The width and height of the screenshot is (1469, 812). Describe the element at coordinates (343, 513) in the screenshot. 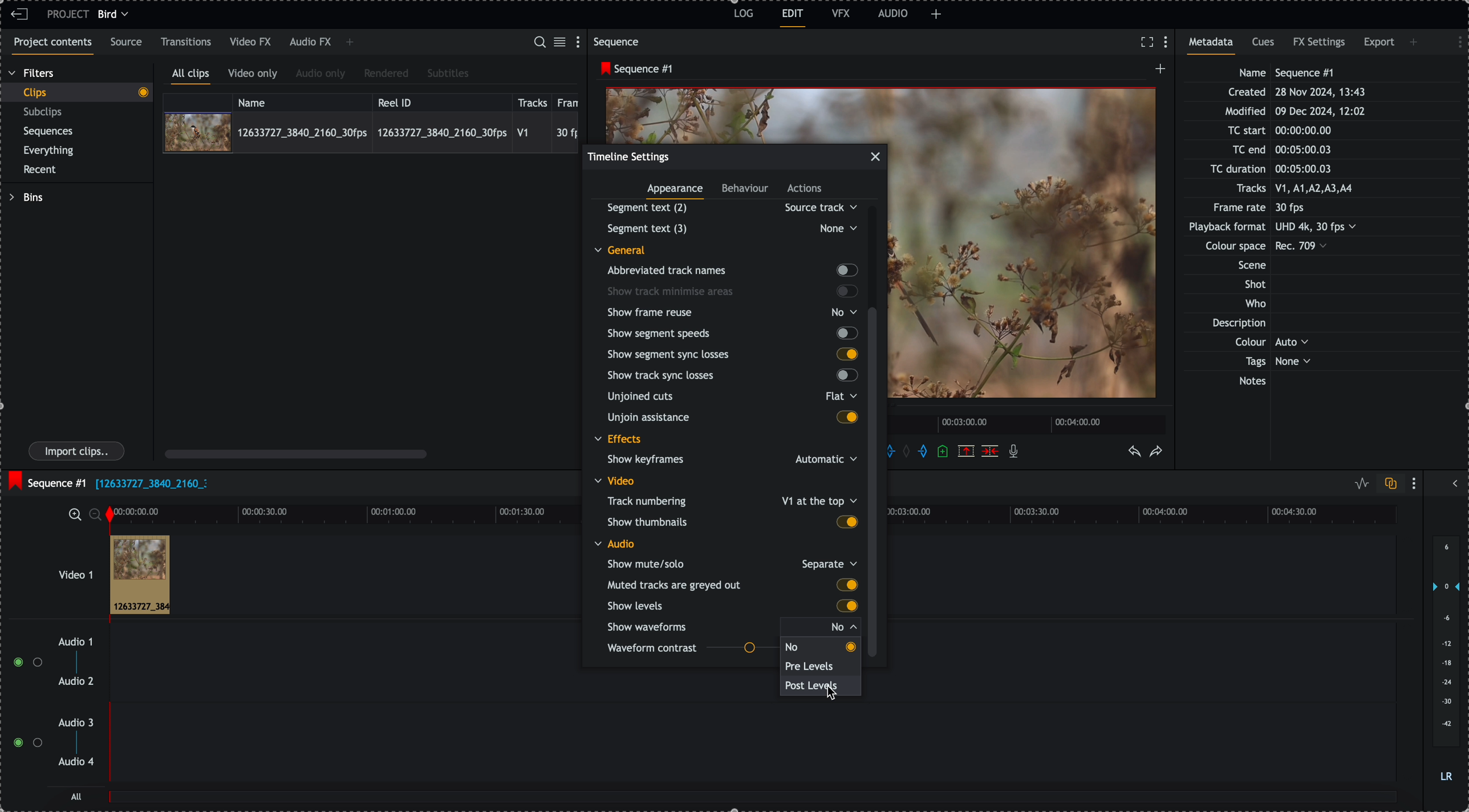

I see `timeline` at that location.